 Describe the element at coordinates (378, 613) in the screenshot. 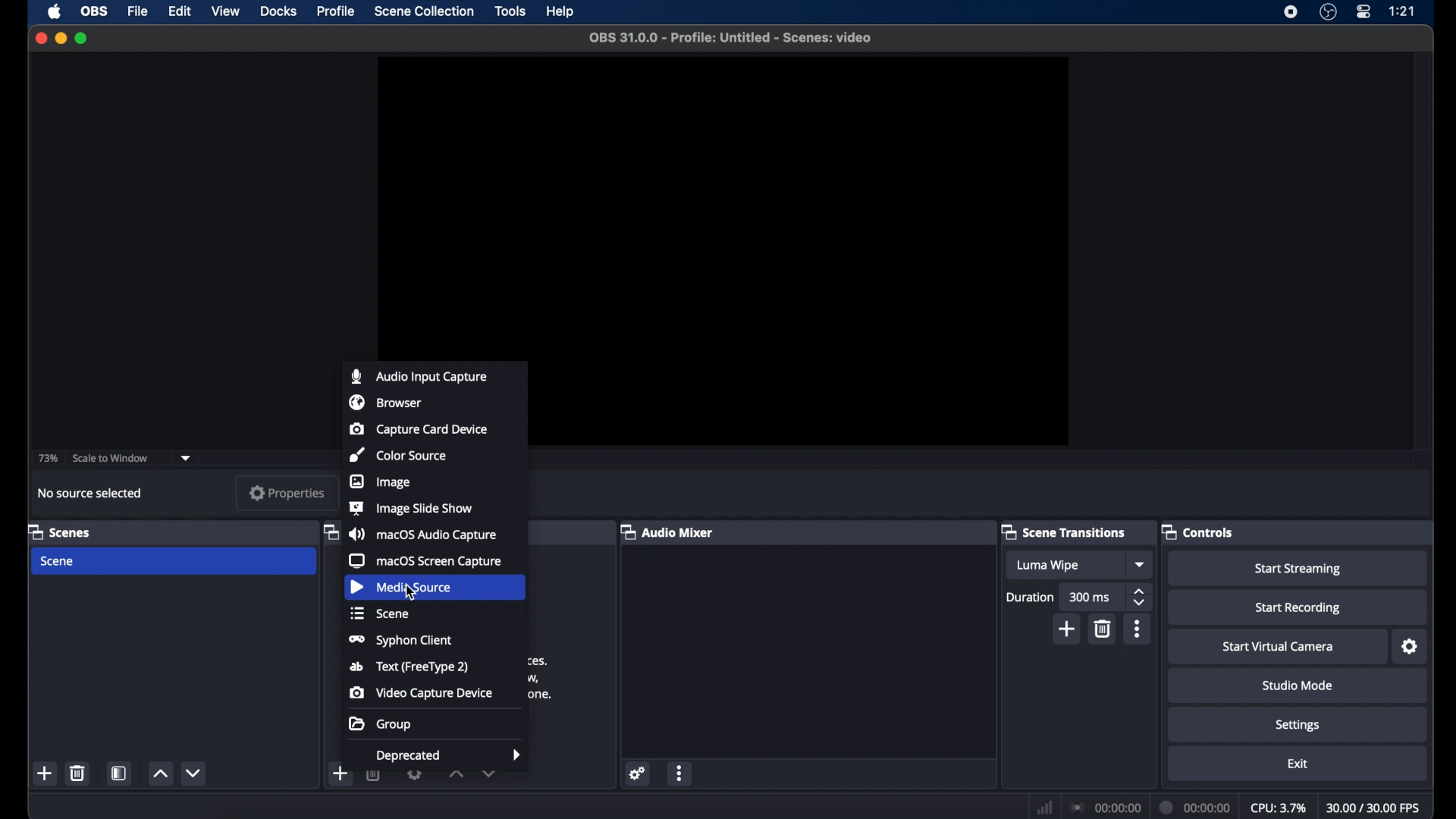

I see `scene` at that location.